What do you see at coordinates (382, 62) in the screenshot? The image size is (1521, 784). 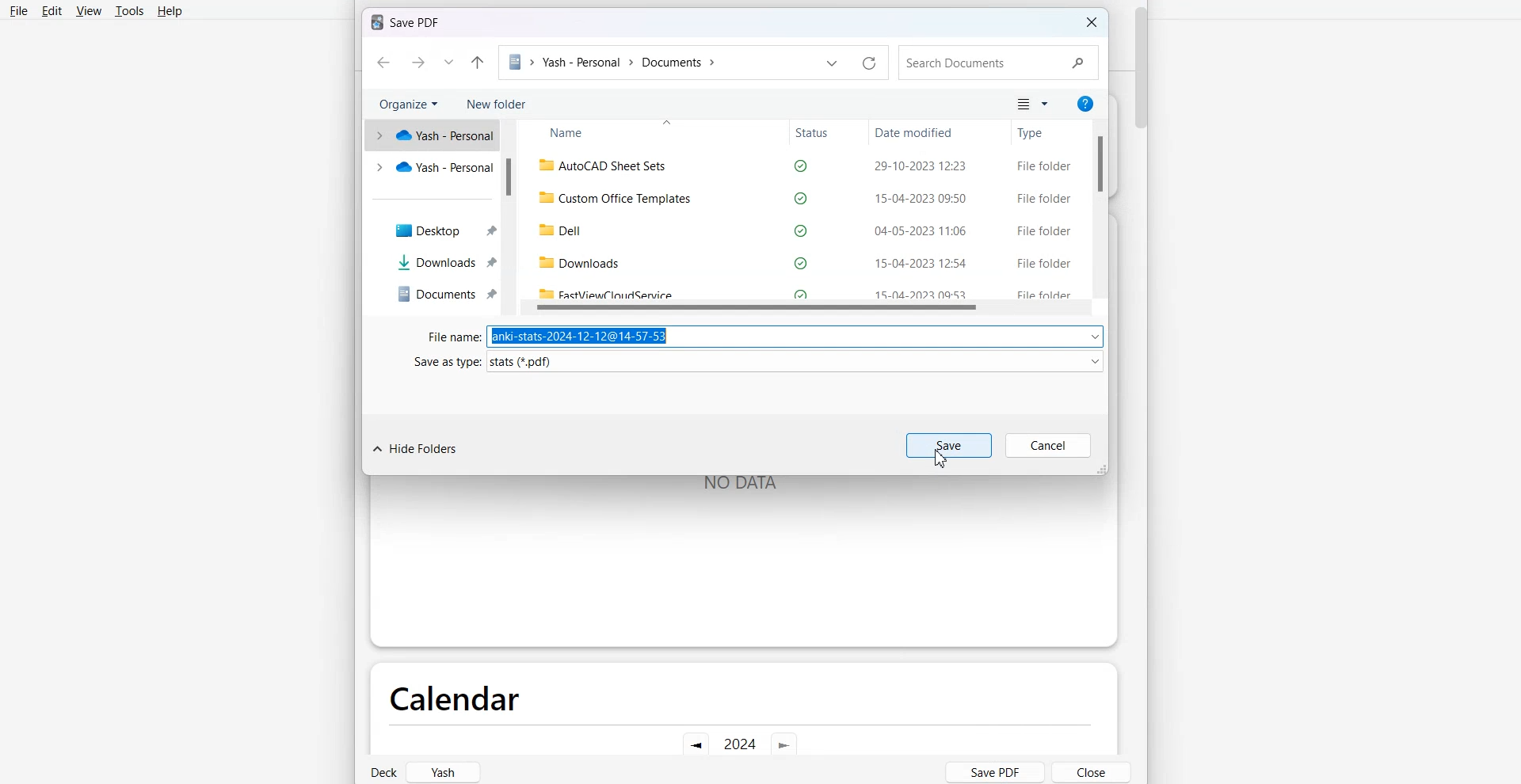 I see `Go Back` at bounding box center [382, 62].